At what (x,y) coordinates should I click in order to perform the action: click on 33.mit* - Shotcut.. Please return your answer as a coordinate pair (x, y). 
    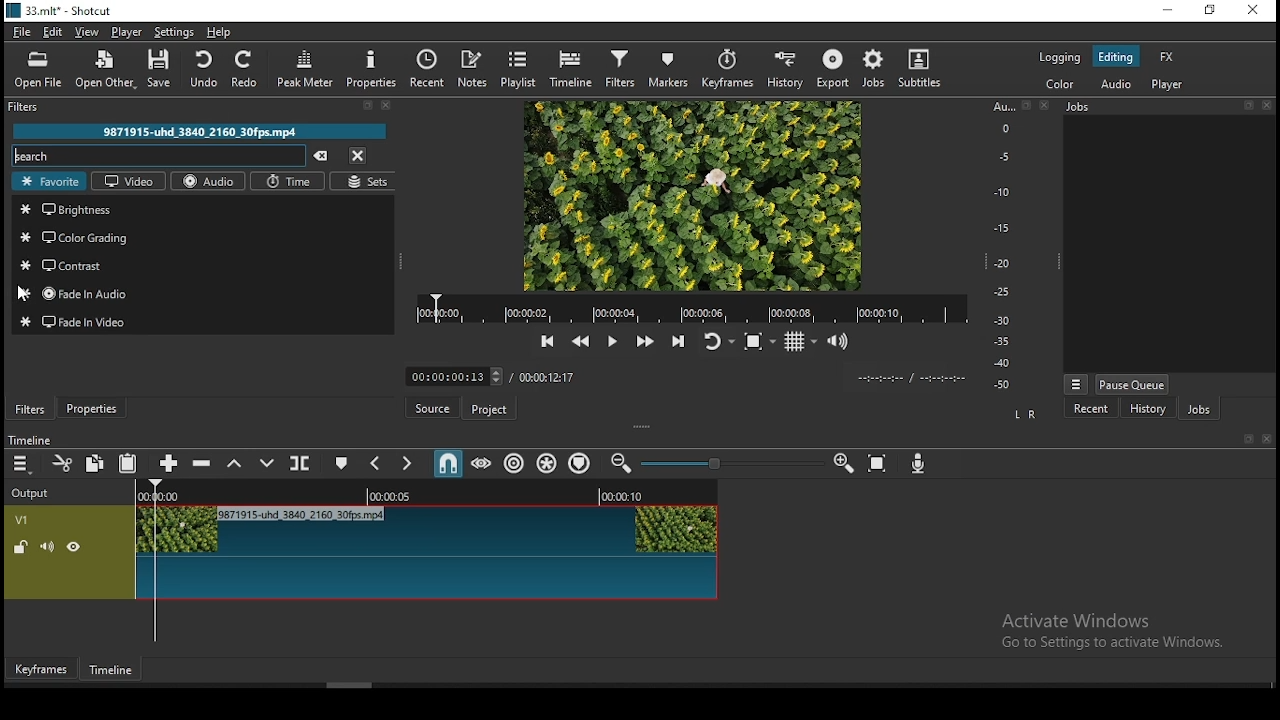
    Looking at the image, I should click on (71, 12).